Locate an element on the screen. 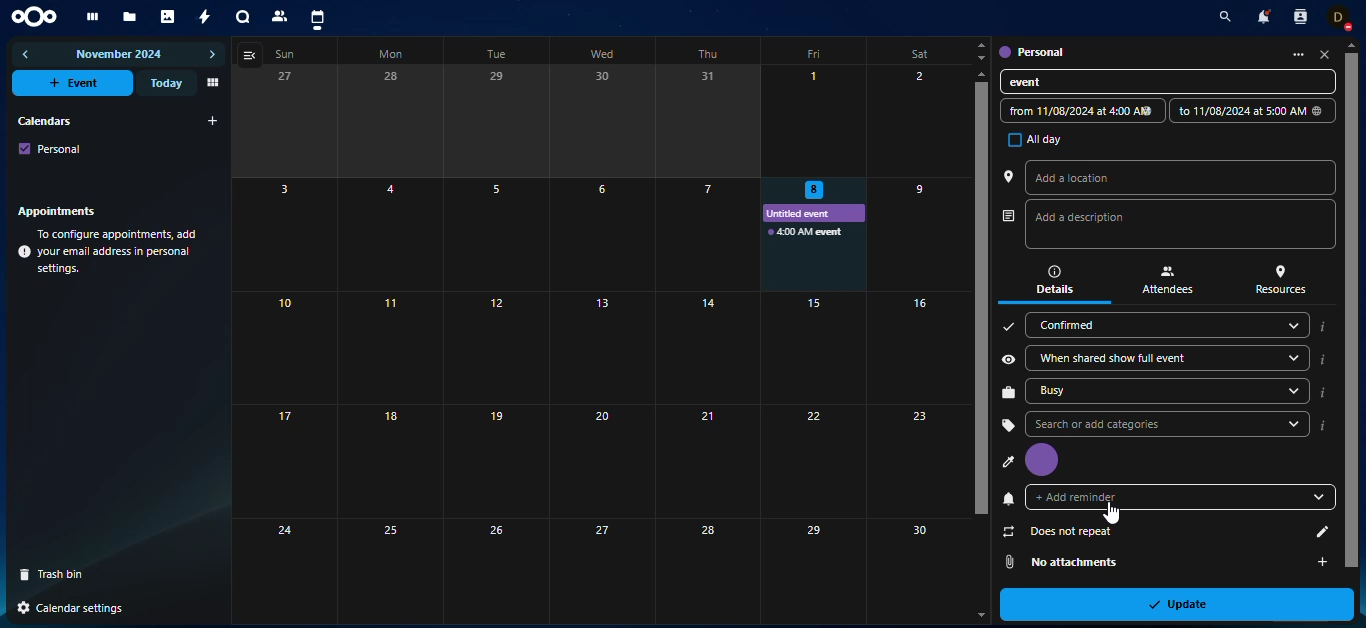 This screenshot has width=1366, height=628. view is located at coordinates (252, 55).